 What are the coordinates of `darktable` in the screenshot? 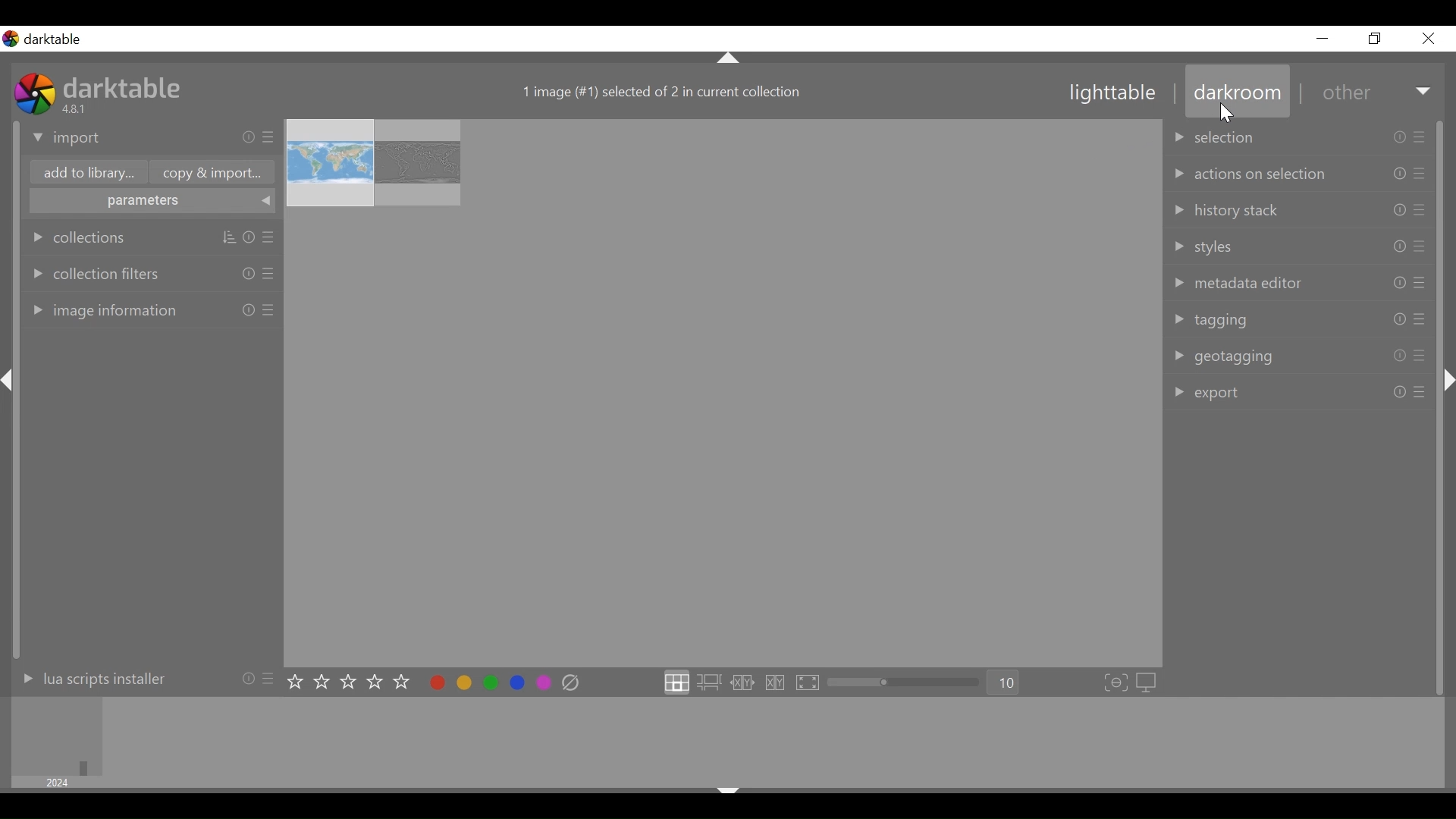 It's located at (128, 86).